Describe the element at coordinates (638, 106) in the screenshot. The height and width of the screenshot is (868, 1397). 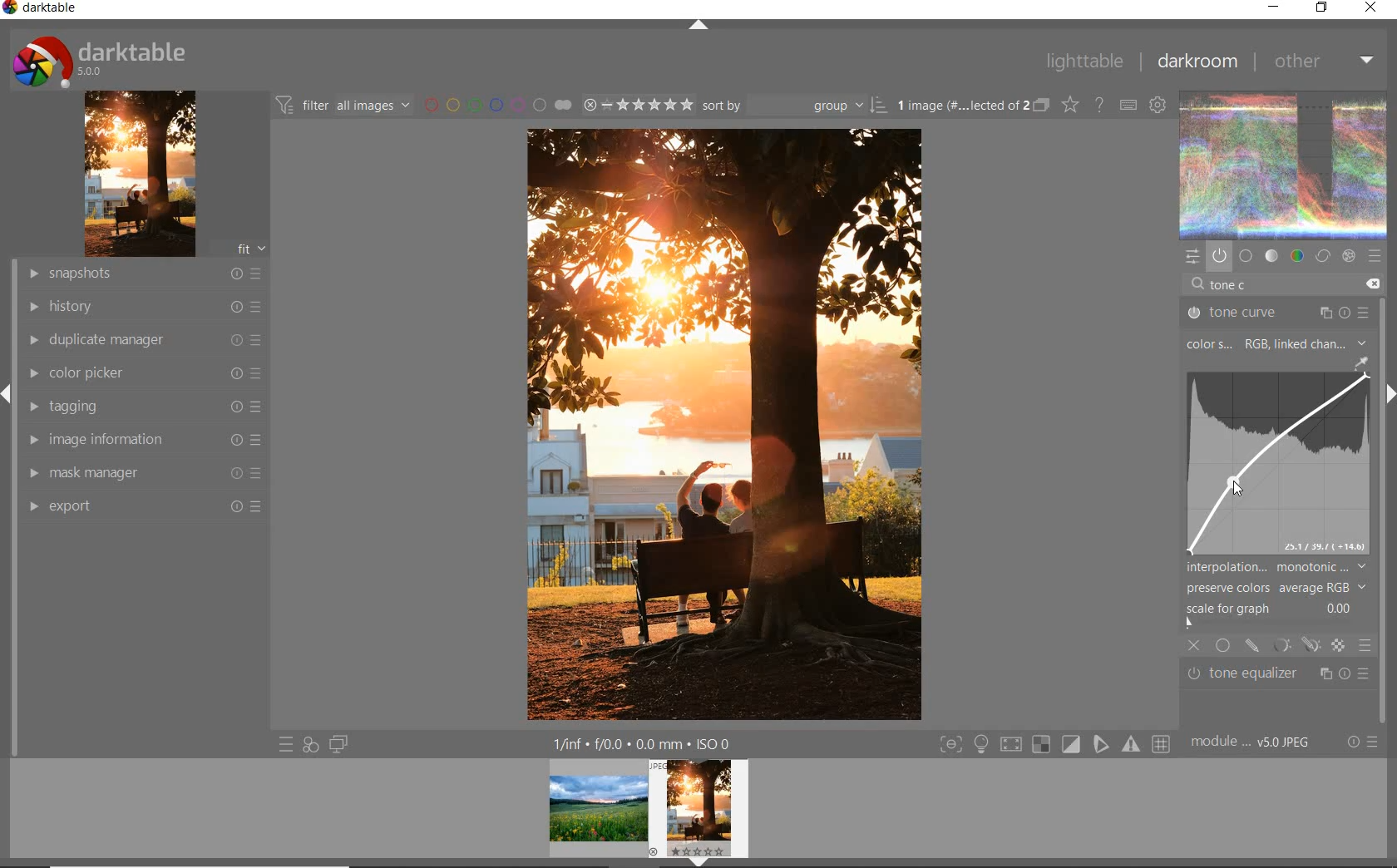
I see `selected Image range rating` at that location.